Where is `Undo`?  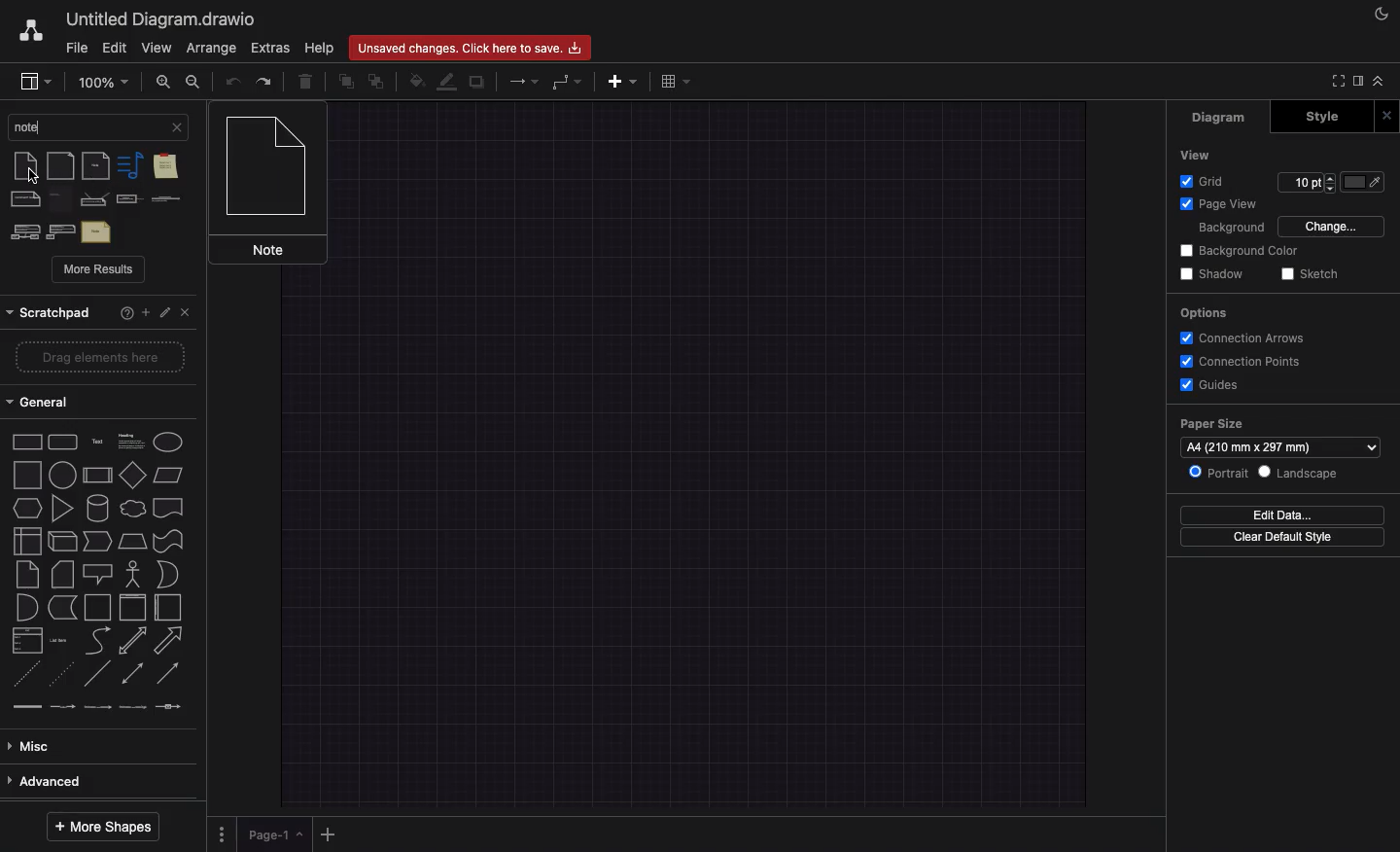
Undo is located at coordinates (233, 80).